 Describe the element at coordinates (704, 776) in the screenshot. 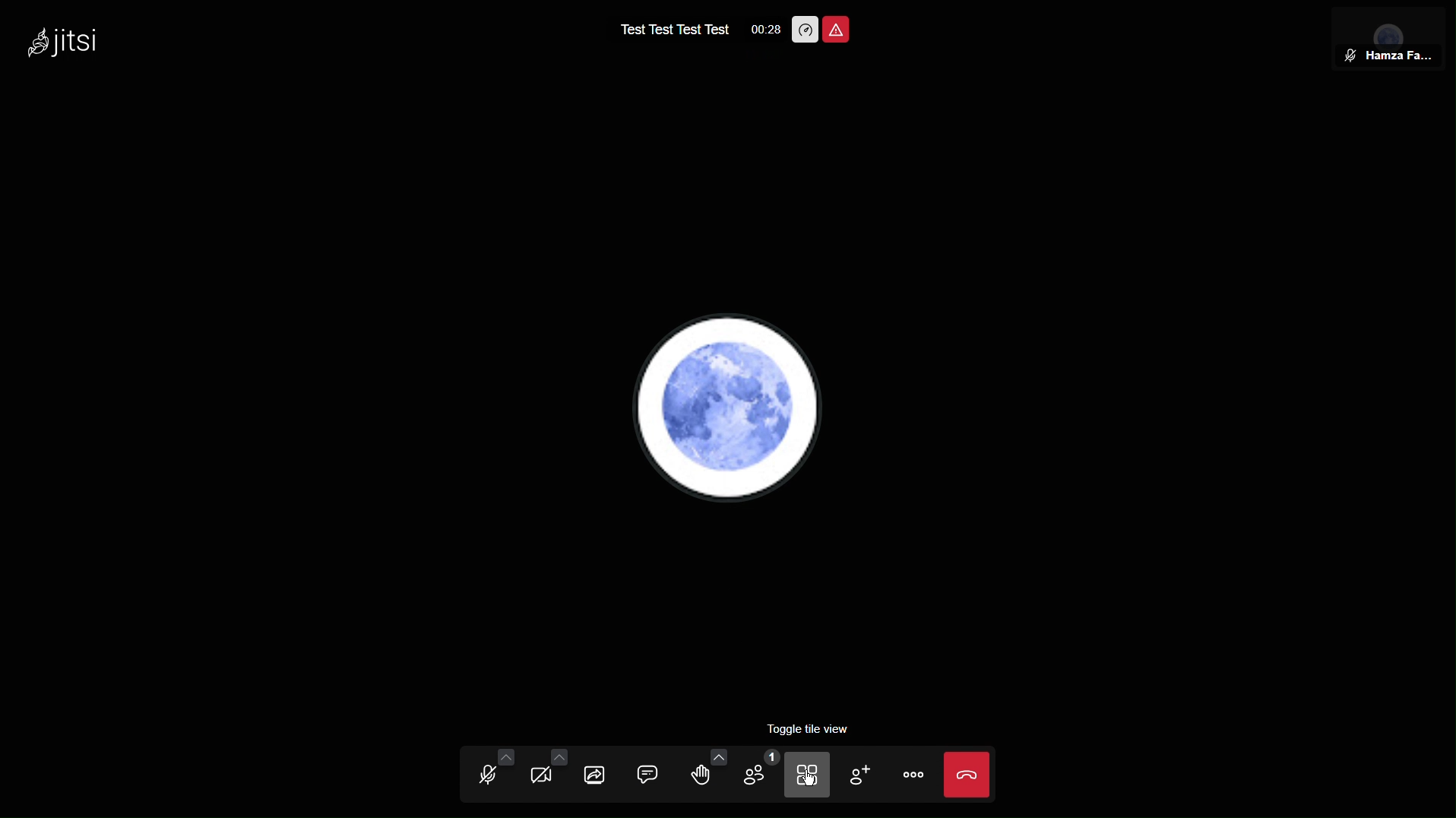

I see `Raise hand` at that location.